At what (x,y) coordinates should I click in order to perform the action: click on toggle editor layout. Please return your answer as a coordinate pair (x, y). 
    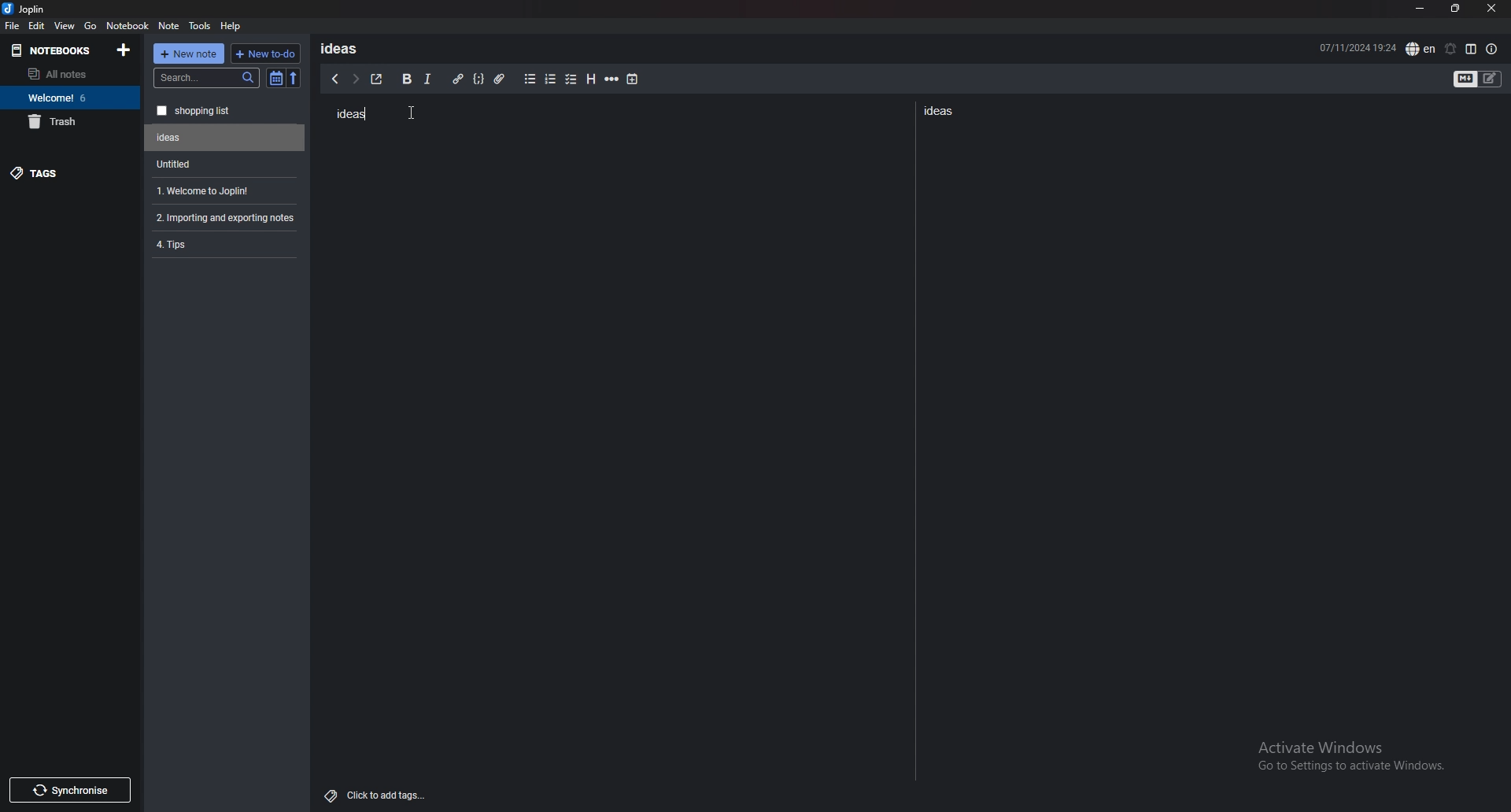
    Looking at the image, I should click on (1471, 49).